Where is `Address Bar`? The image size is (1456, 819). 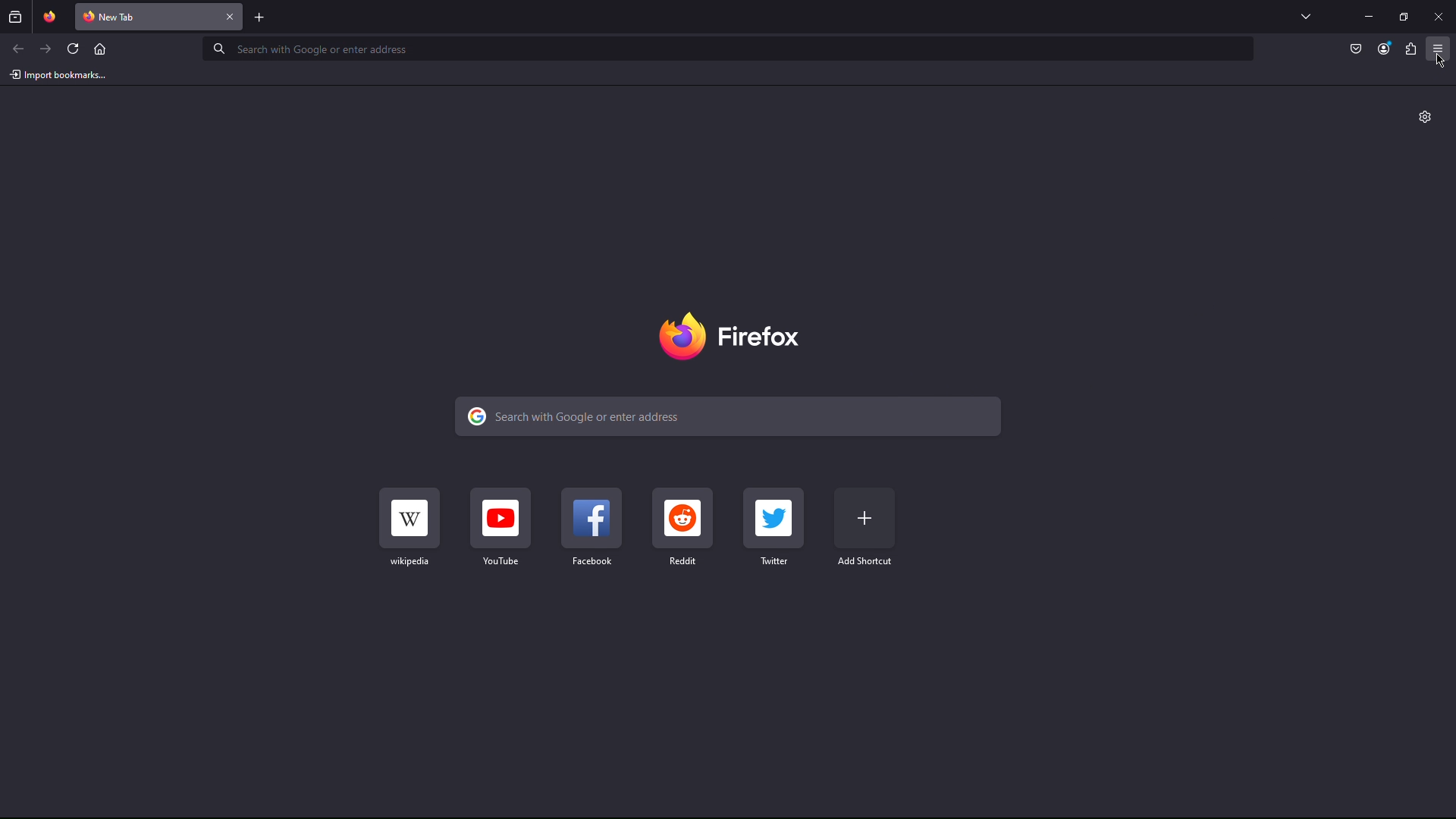
Address Bar is located at coordinates (727, 48).